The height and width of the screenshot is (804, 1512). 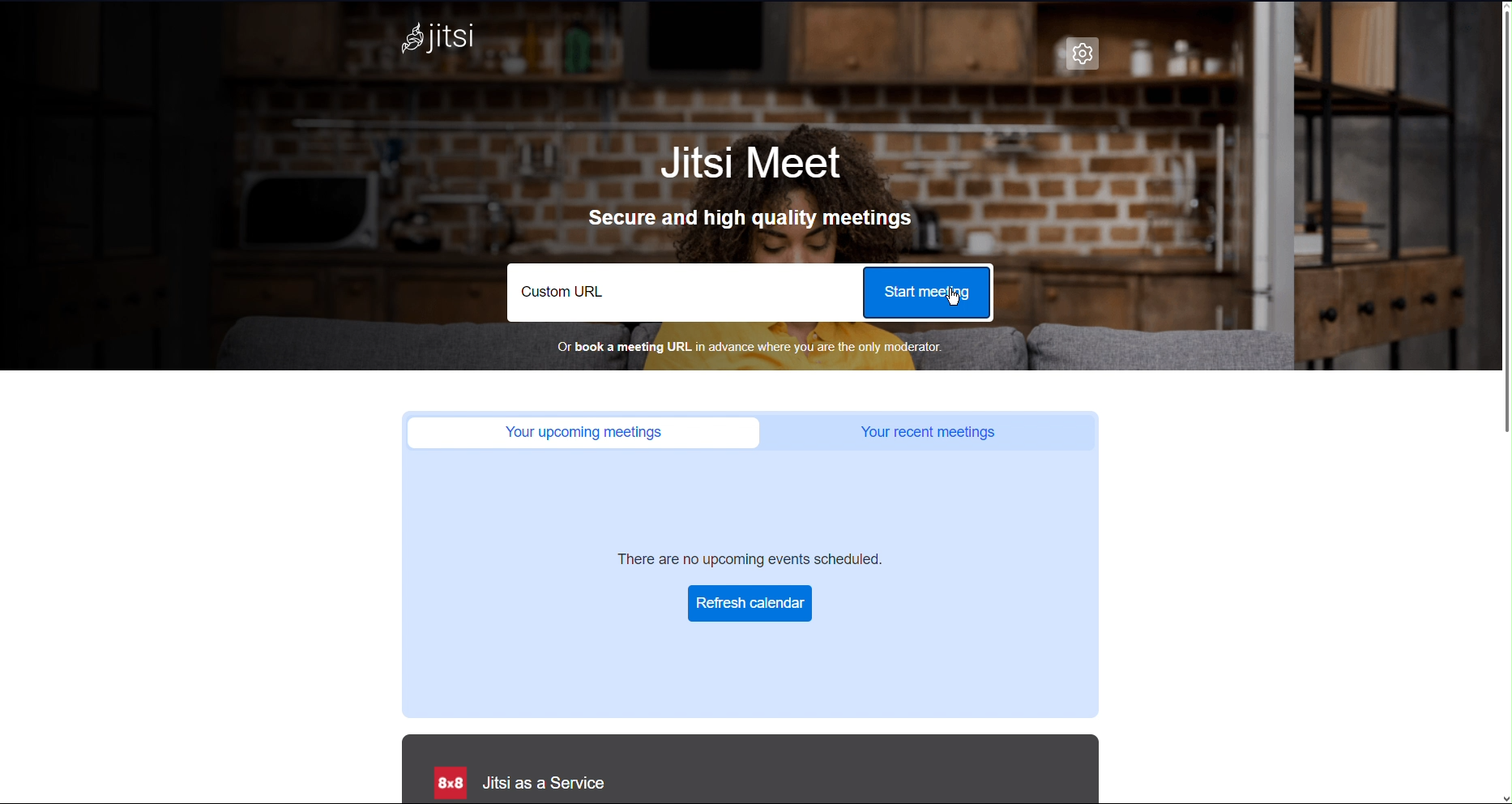 What do you see at coordinates (576, 432) in the screenshot?
I see `Your upcoming meetings` at bounding box center [576, 432].